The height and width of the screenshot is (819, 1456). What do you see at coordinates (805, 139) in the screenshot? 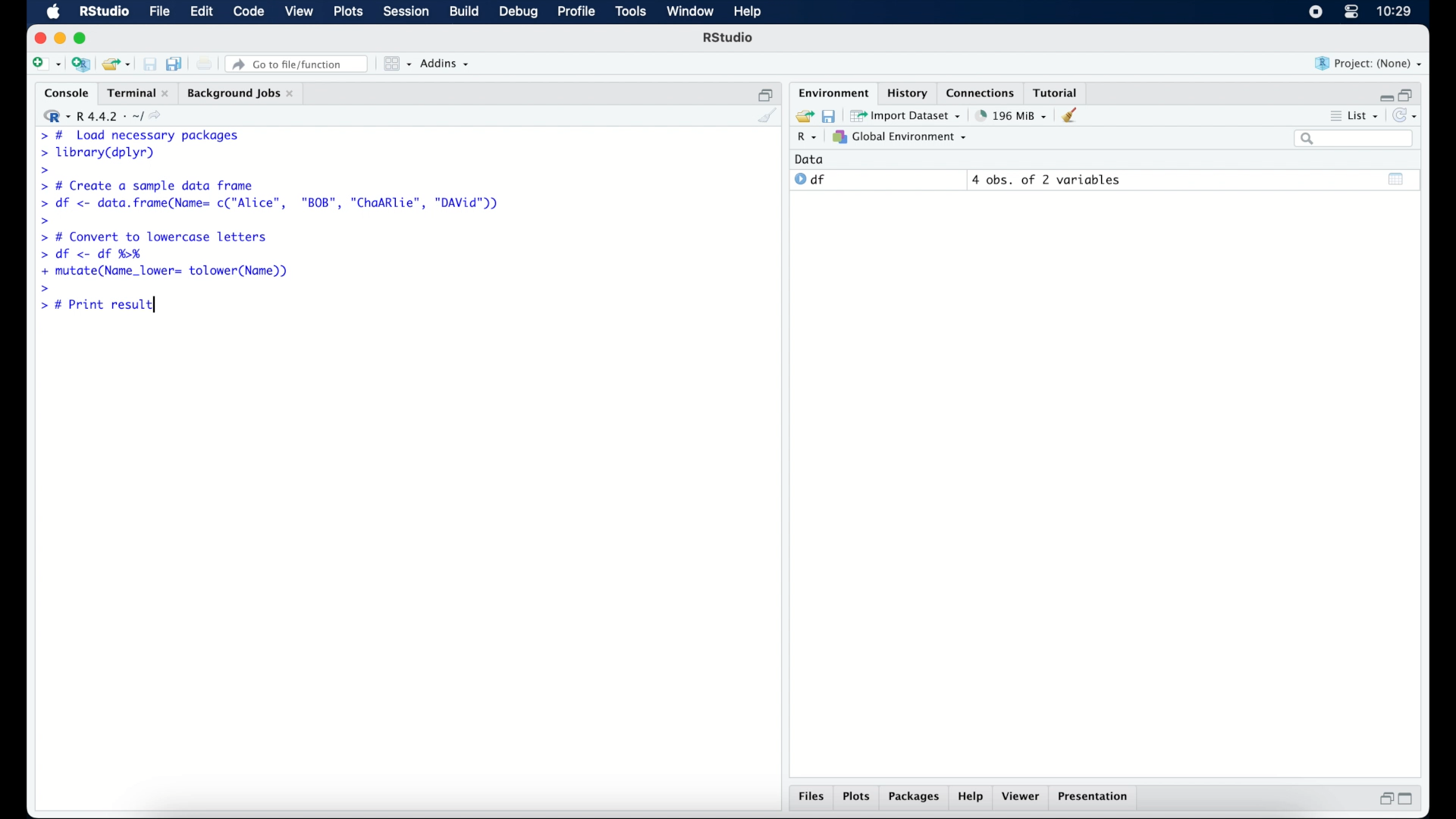
I see `R` at bounding box center [805, 139].